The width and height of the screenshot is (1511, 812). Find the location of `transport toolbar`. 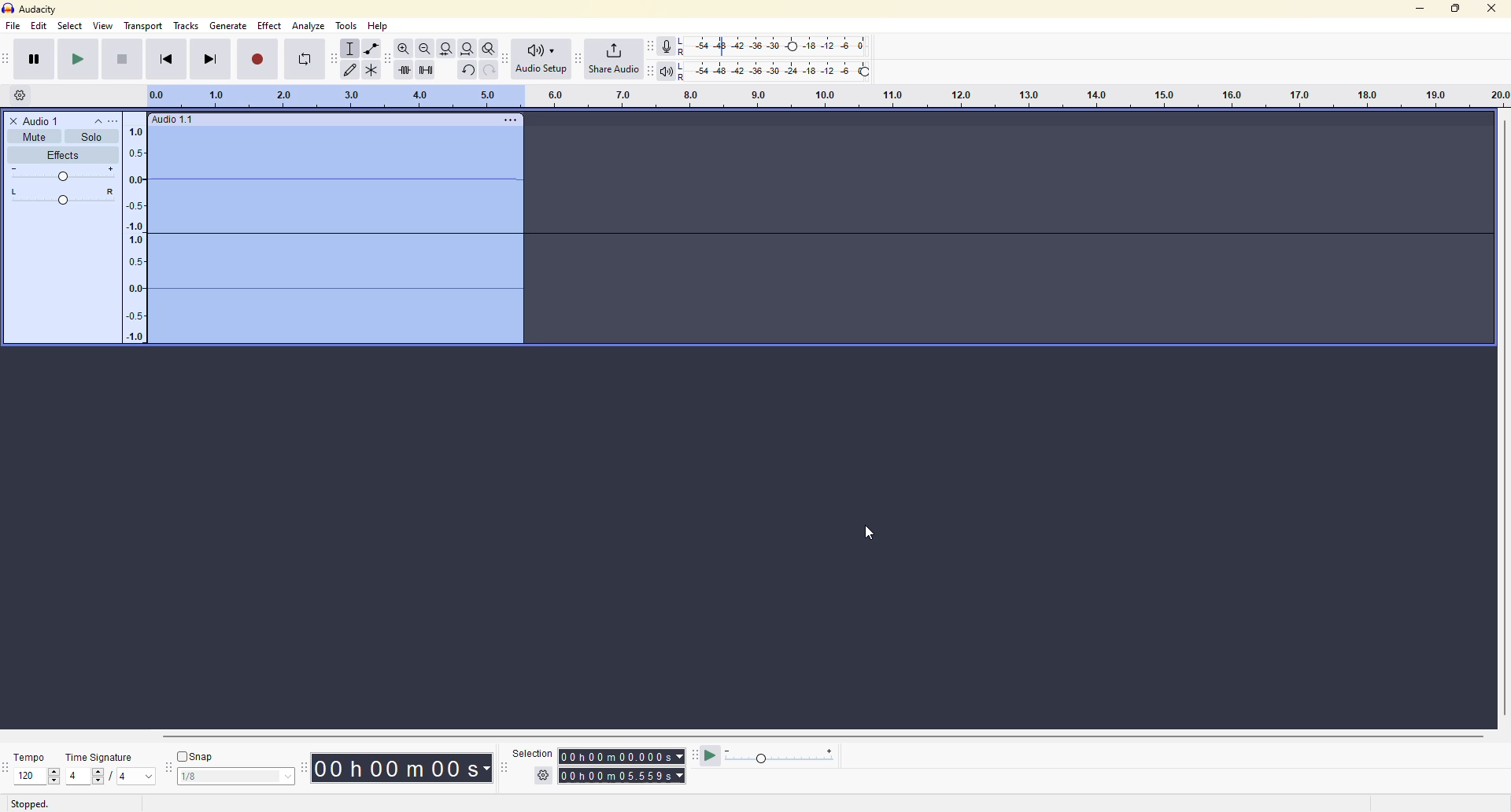

transport toolbar is located at coordinates (10, 58).